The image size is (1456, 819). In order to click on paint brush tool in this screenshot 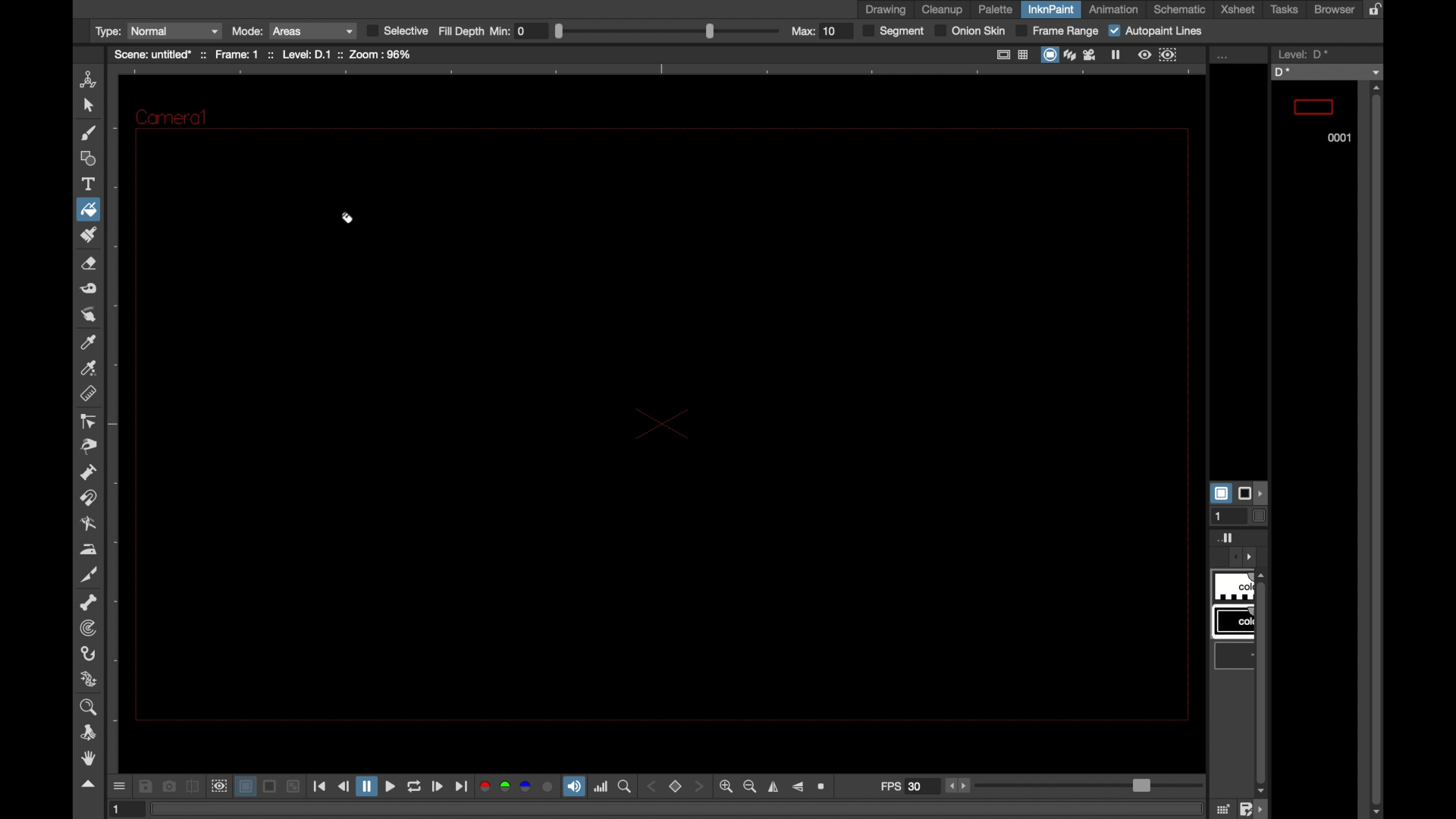, I will do `click(86, 133)`.